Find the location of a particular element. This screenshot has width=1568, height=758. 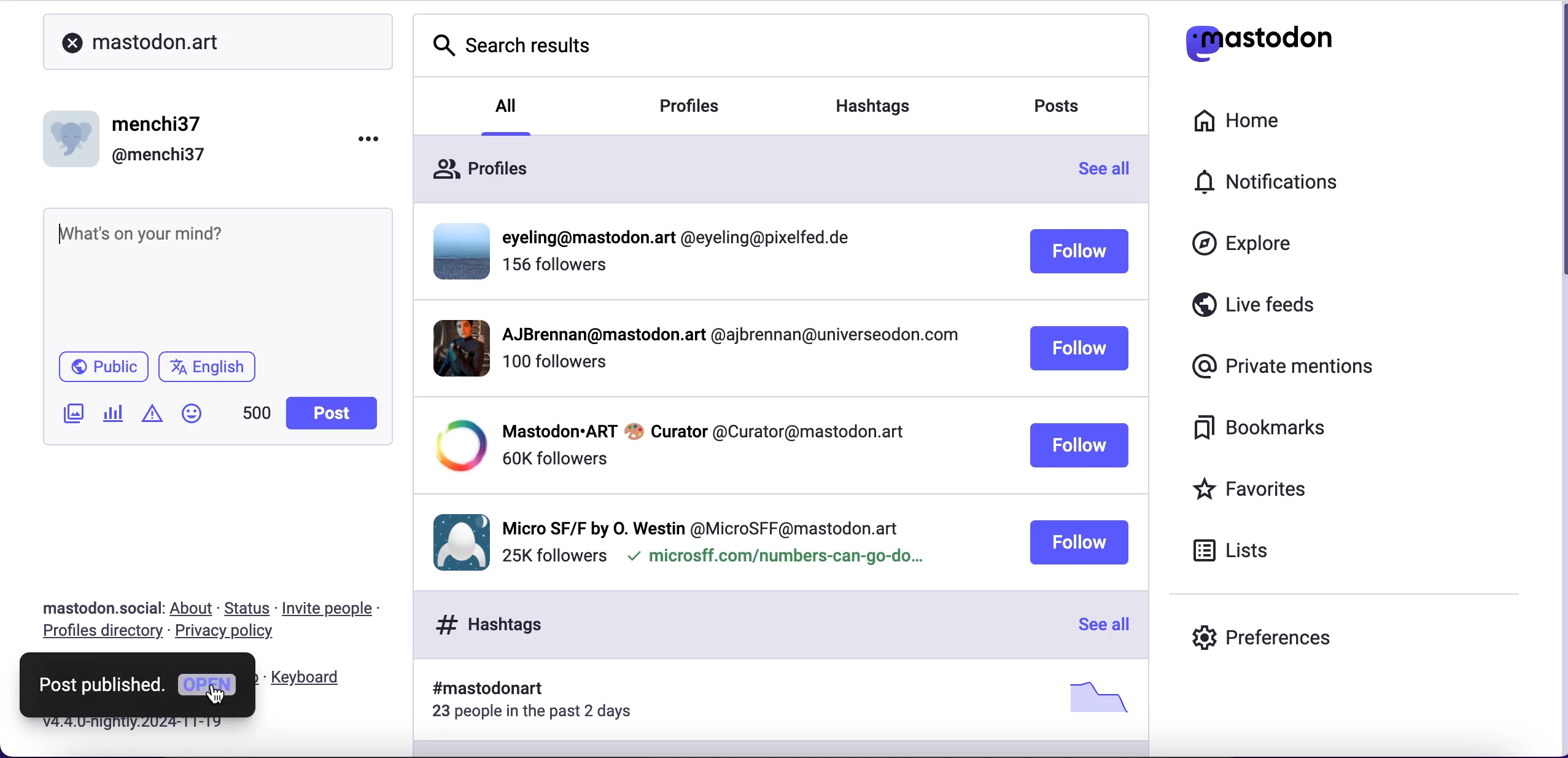

status is located at coordinates (246, 608).